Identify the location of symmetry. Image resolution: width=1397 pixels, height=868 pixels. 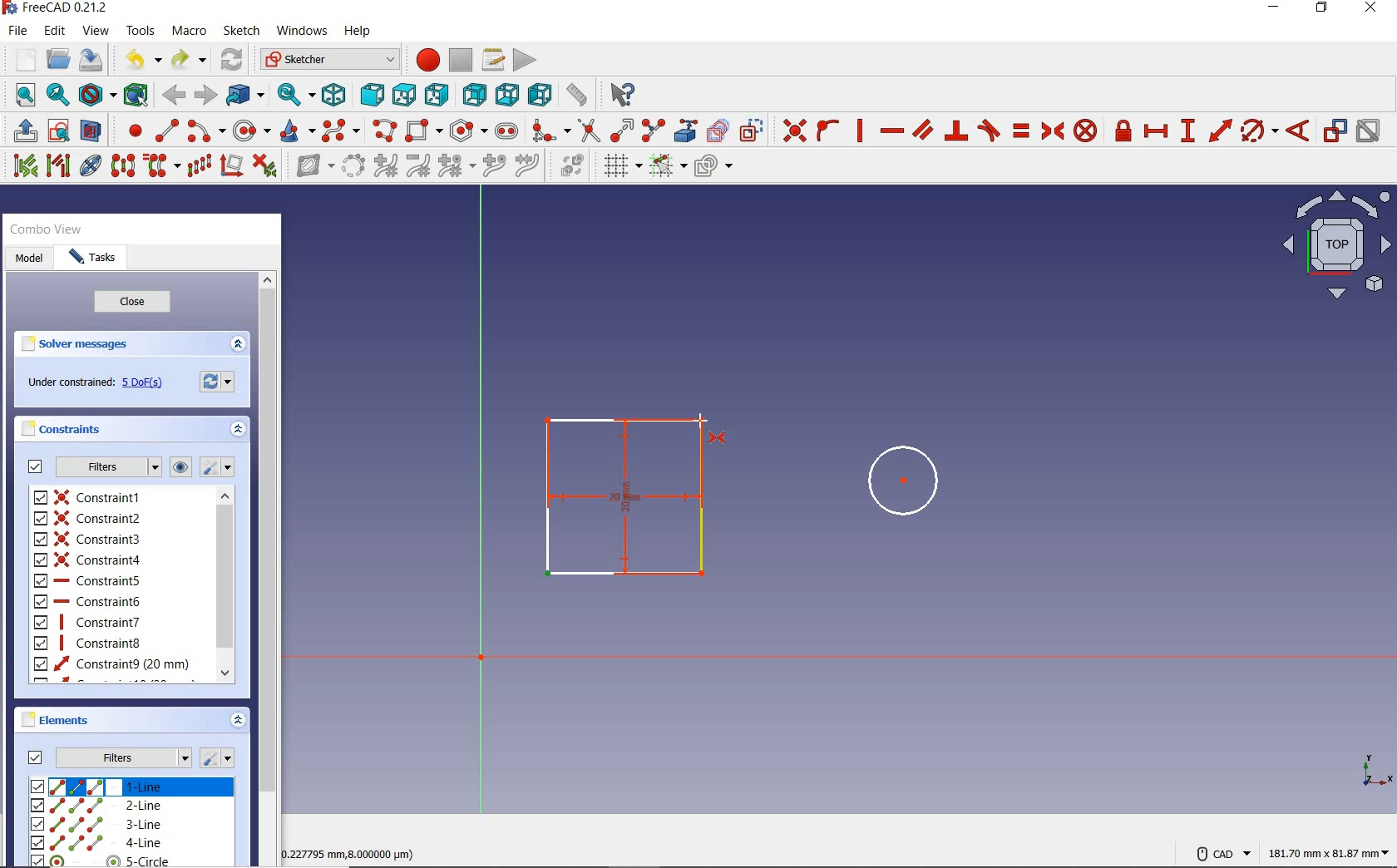
(124, 168).